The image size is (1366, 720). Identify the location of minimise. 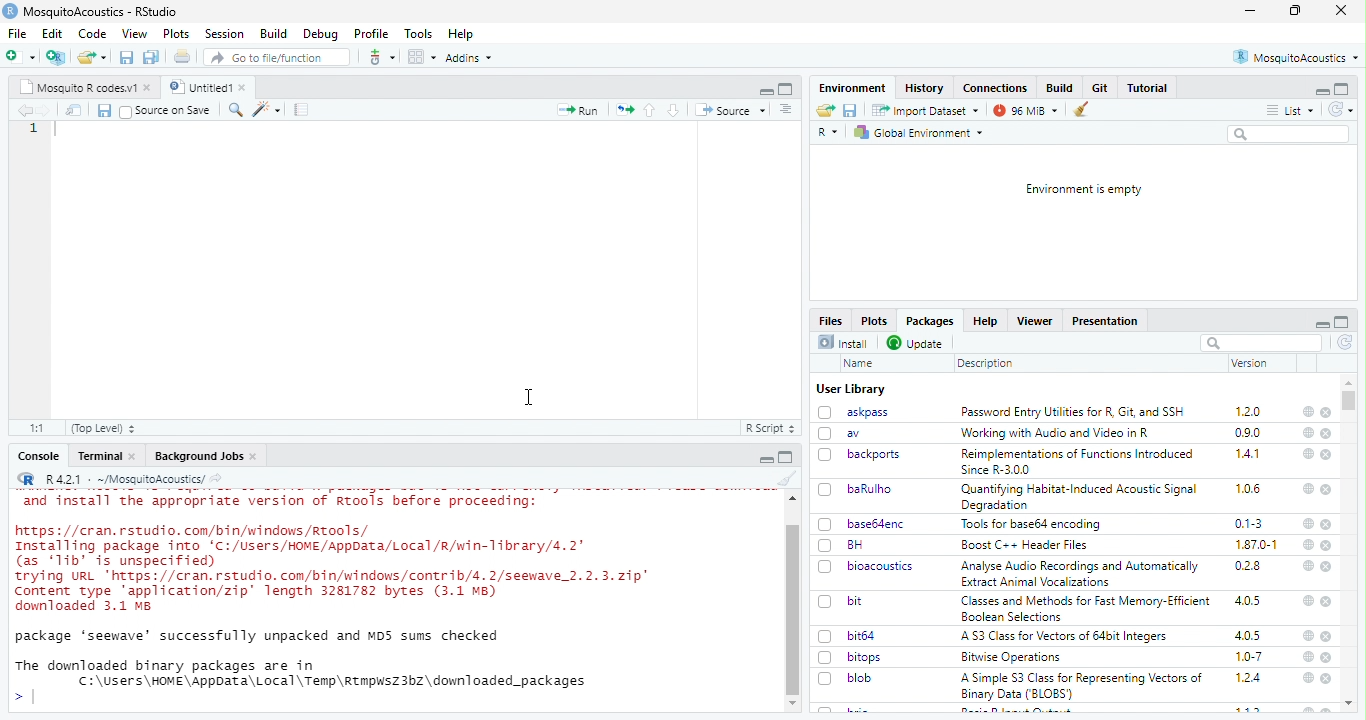
(1324, 325).